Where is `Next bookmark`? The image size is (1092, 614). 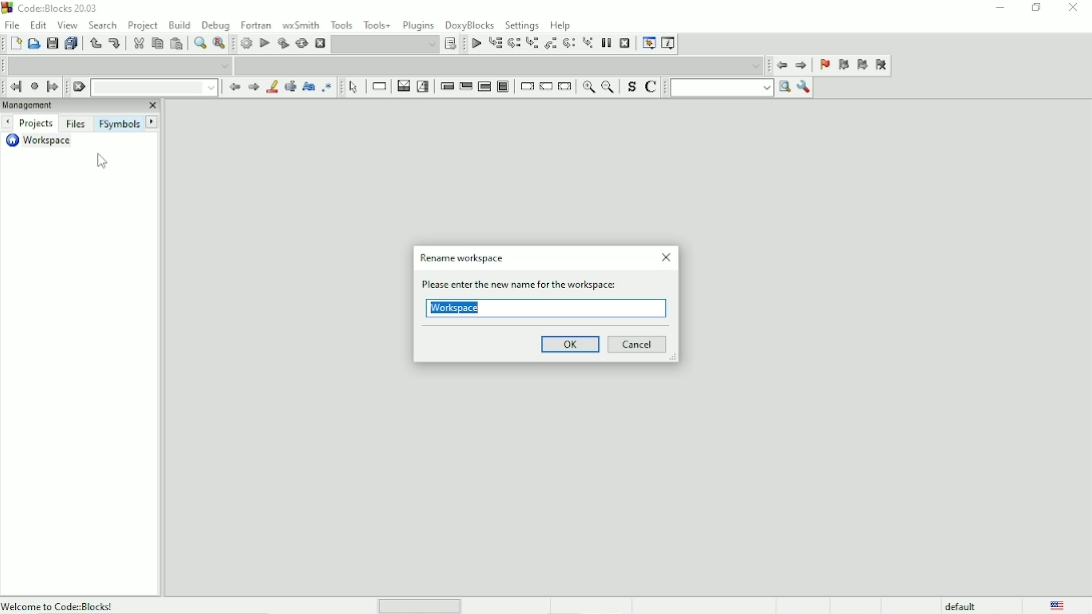
Next bookmark is located at coordinates (862, 66).